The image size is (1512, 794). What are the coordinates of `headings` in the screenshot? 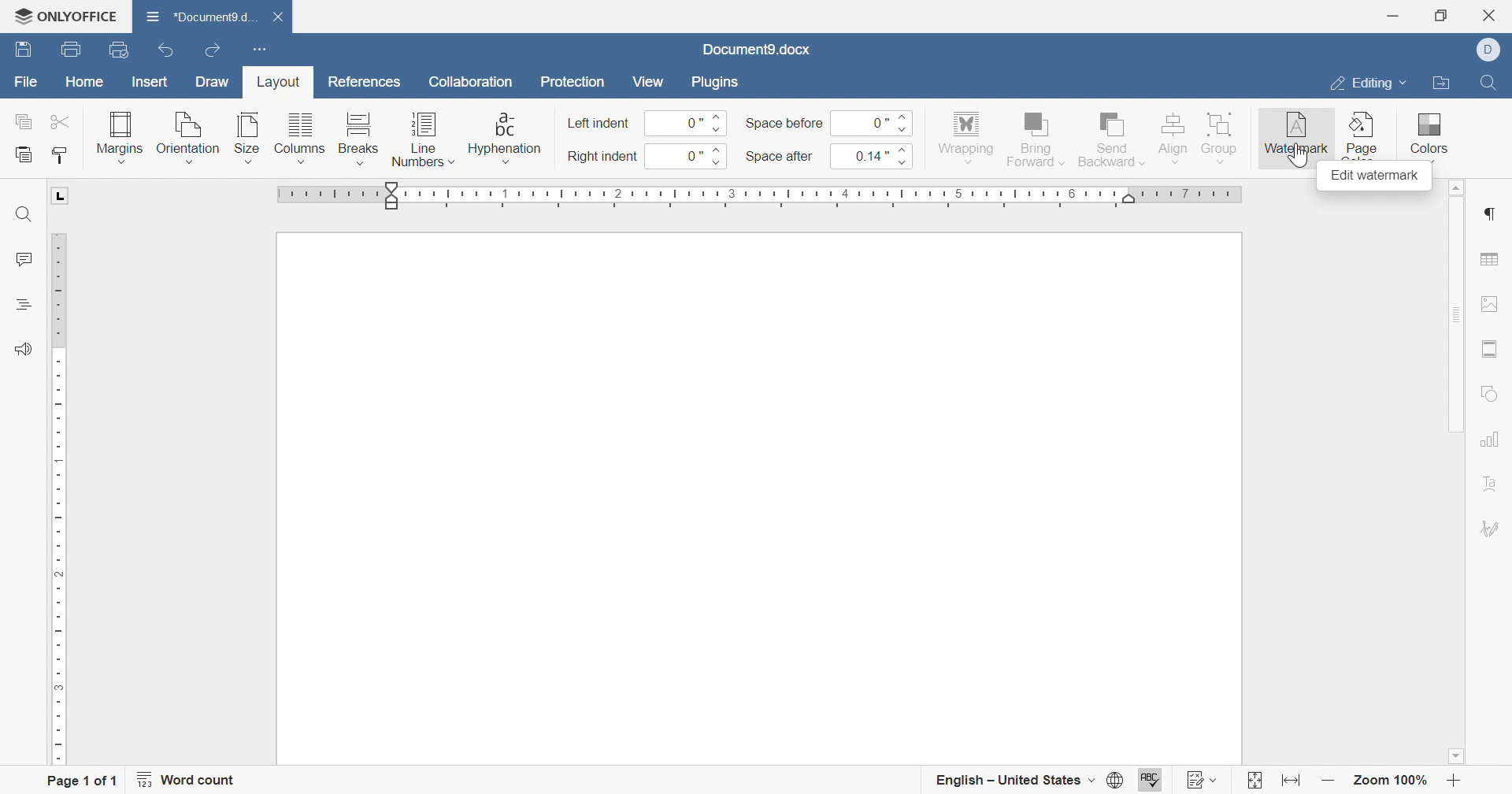 It's located at (21, 304).